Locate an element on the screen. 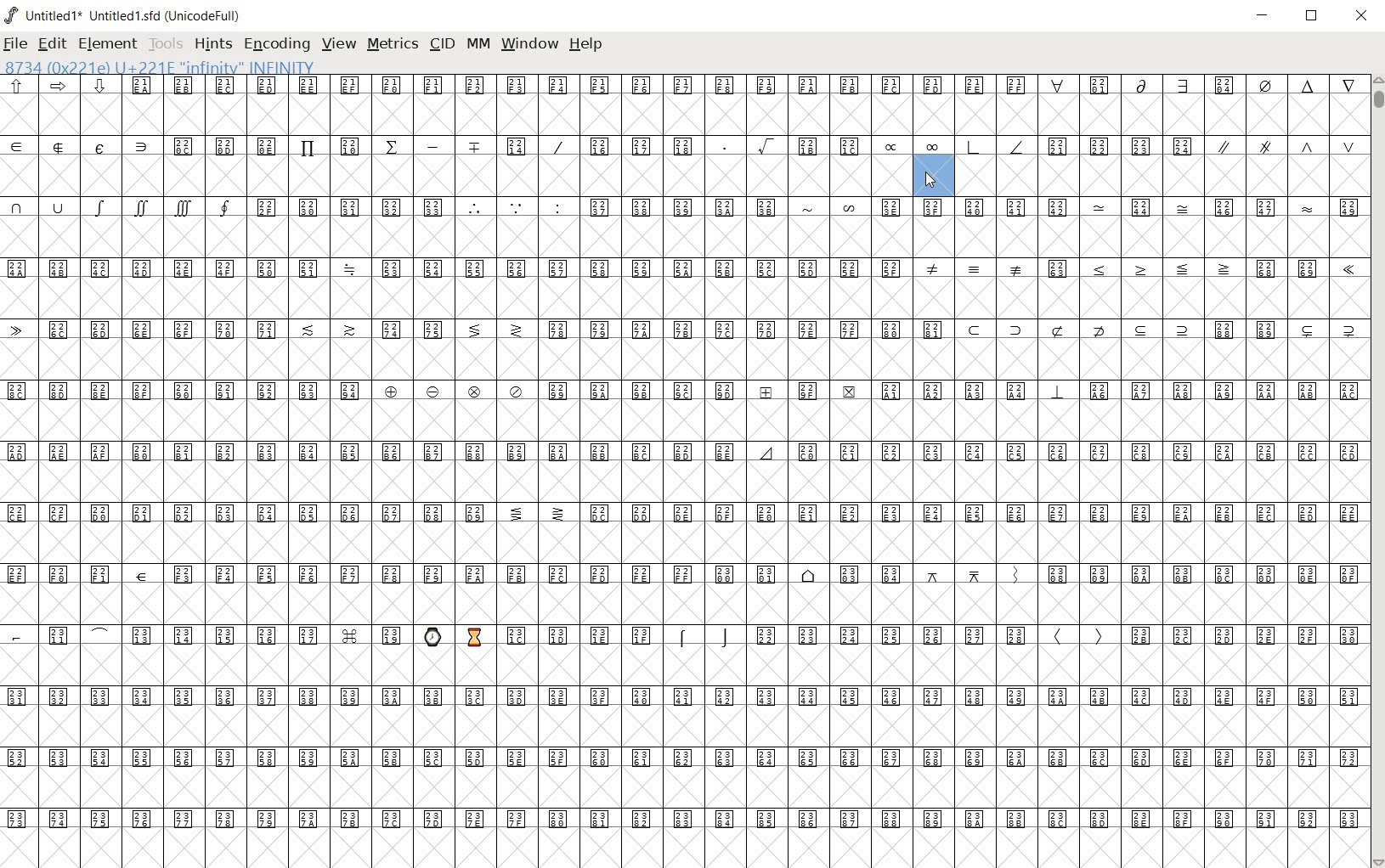 This screenshot has width=1385, height=868. symbols is located at coordinates (1286, 144).